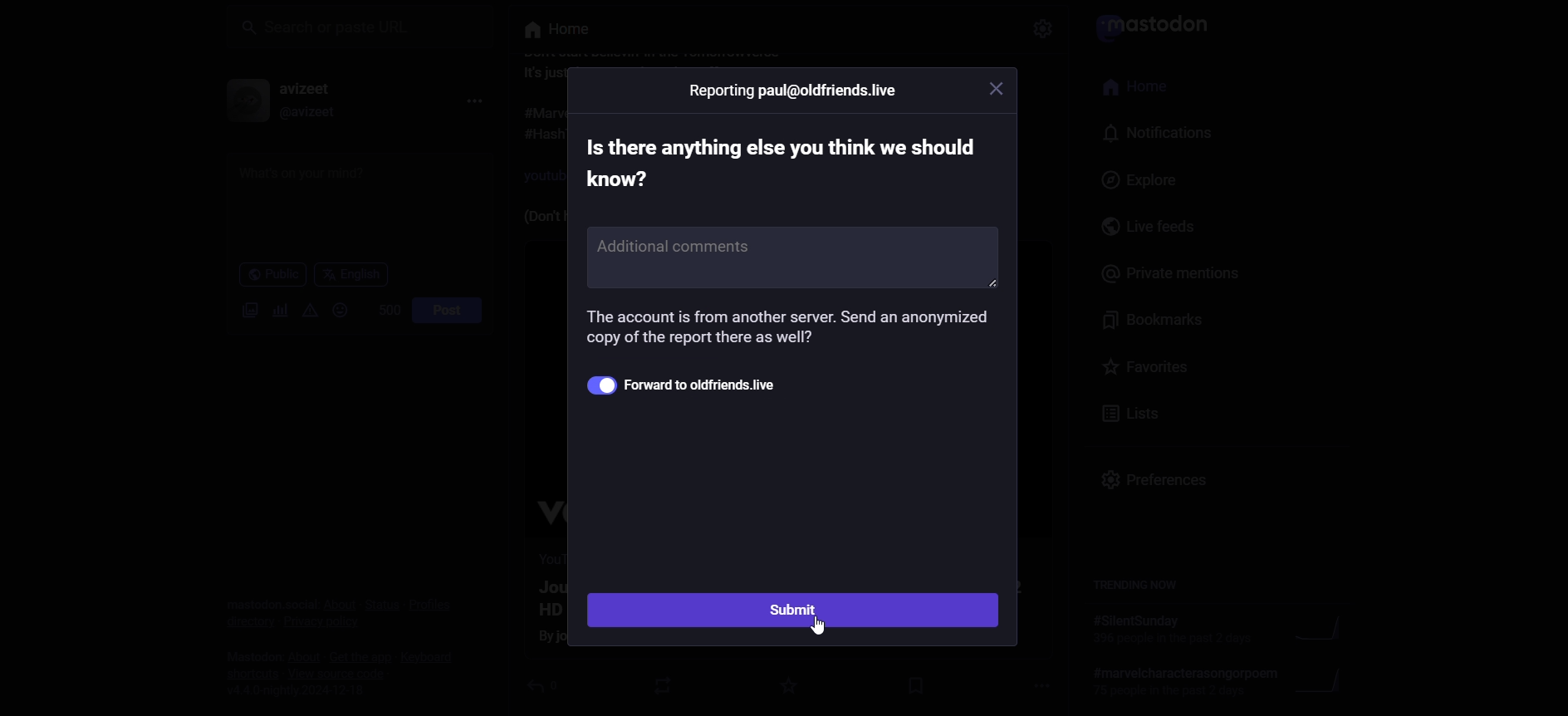  What do you see at coordinates (1162, 485) in the screenshot?
I see `preferences` at bounding box center [1162, 485].